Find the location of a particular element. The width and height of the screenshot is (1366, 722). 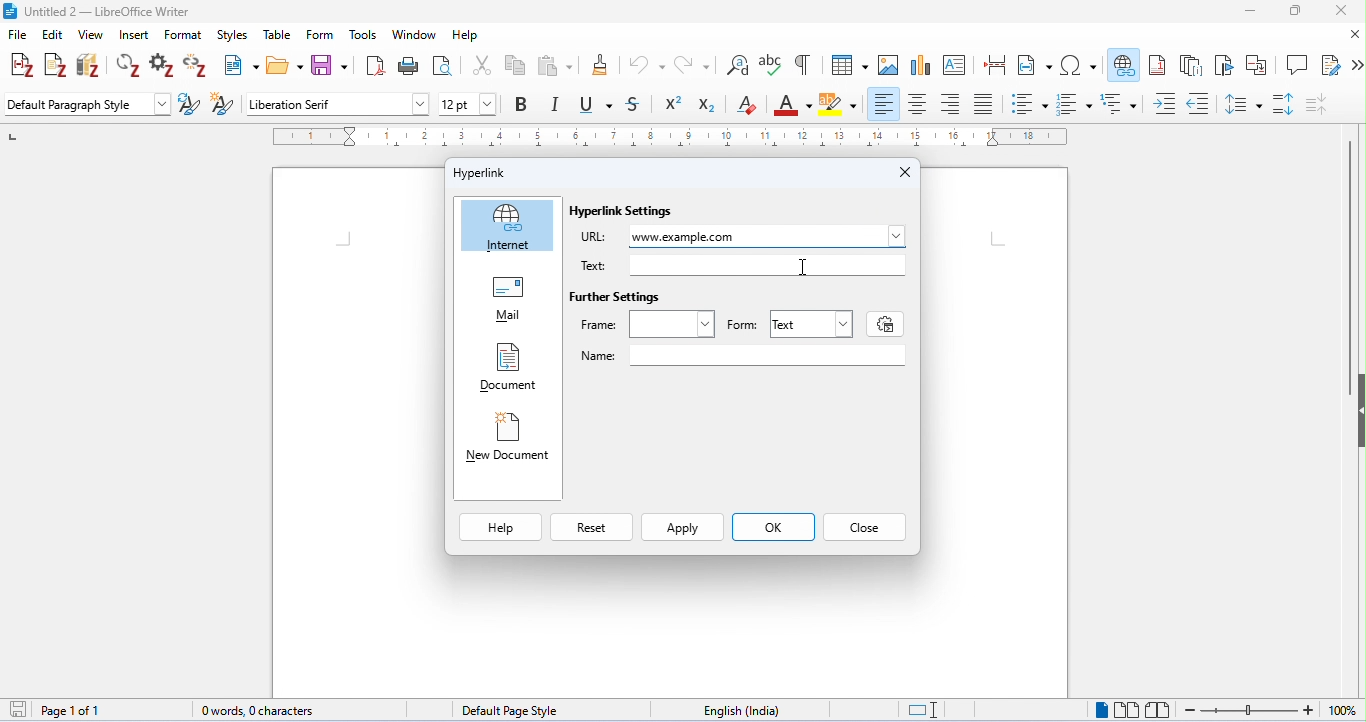

print is located at coordinates (406, 66).